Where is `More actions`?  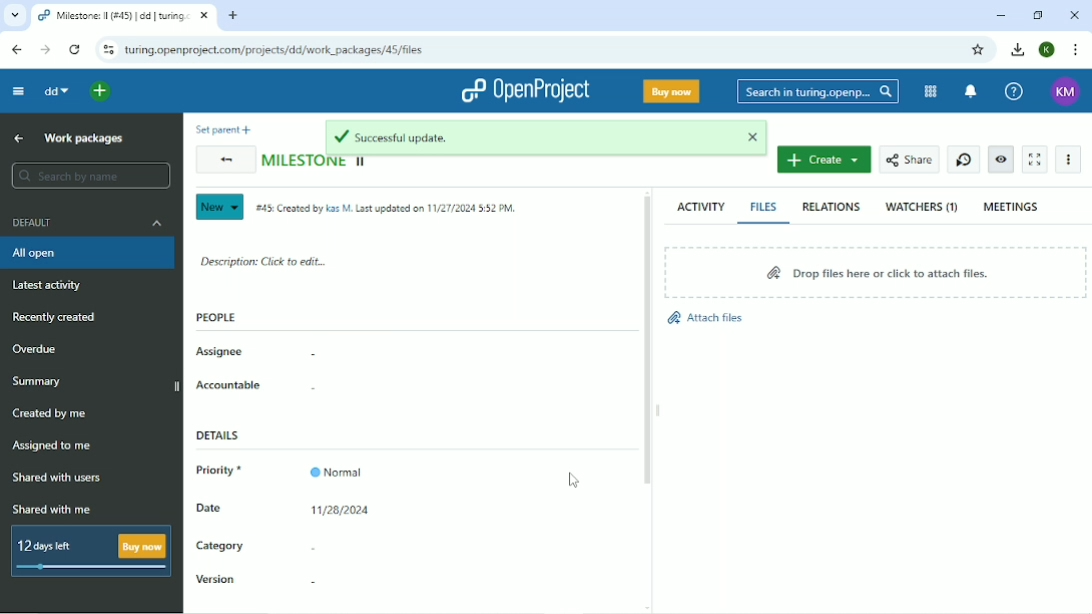
More actions is located at coordinates (1069, 159).